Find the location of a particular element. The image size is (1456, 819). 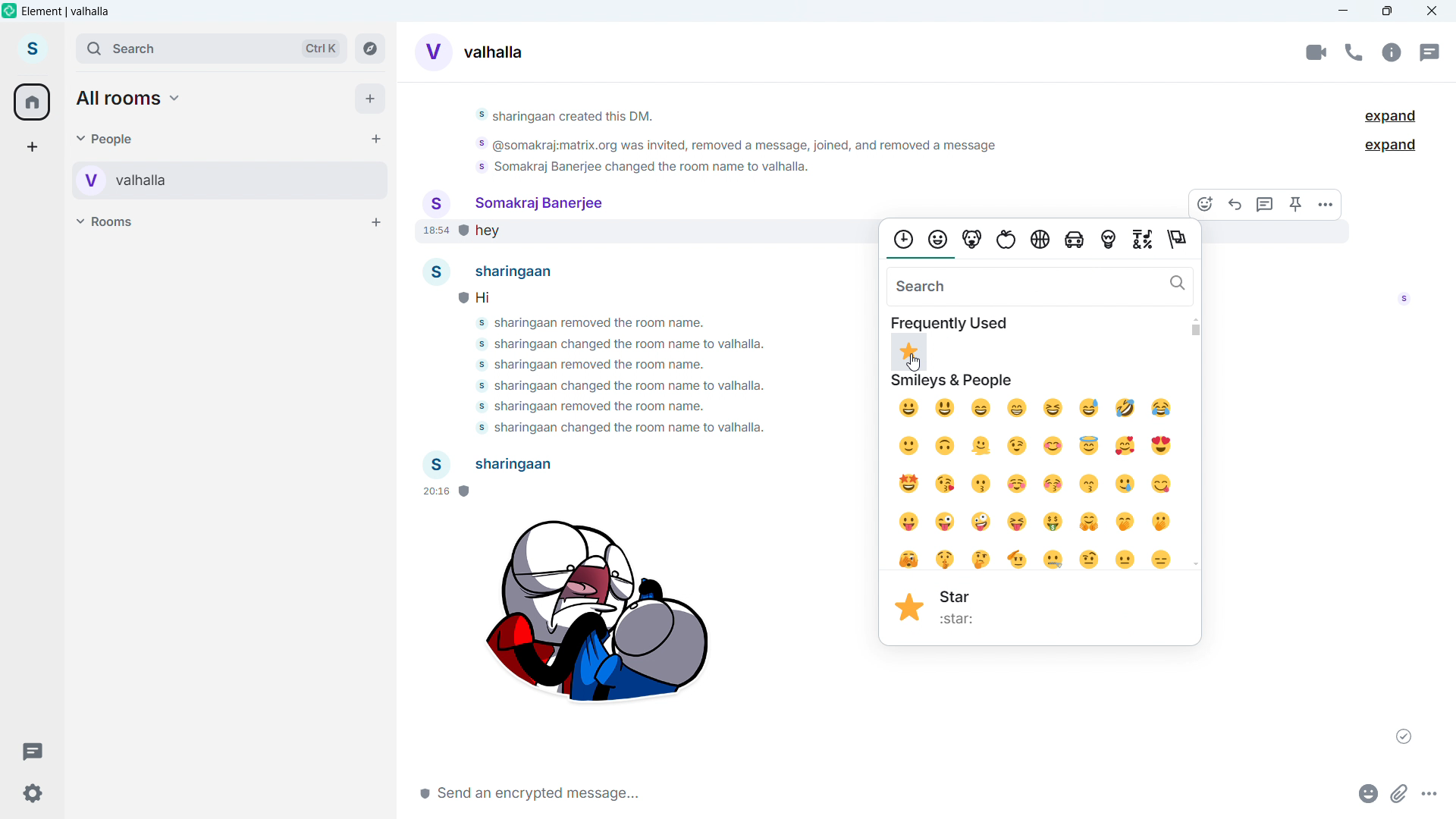

star struck is located at coordinates (912, 484).